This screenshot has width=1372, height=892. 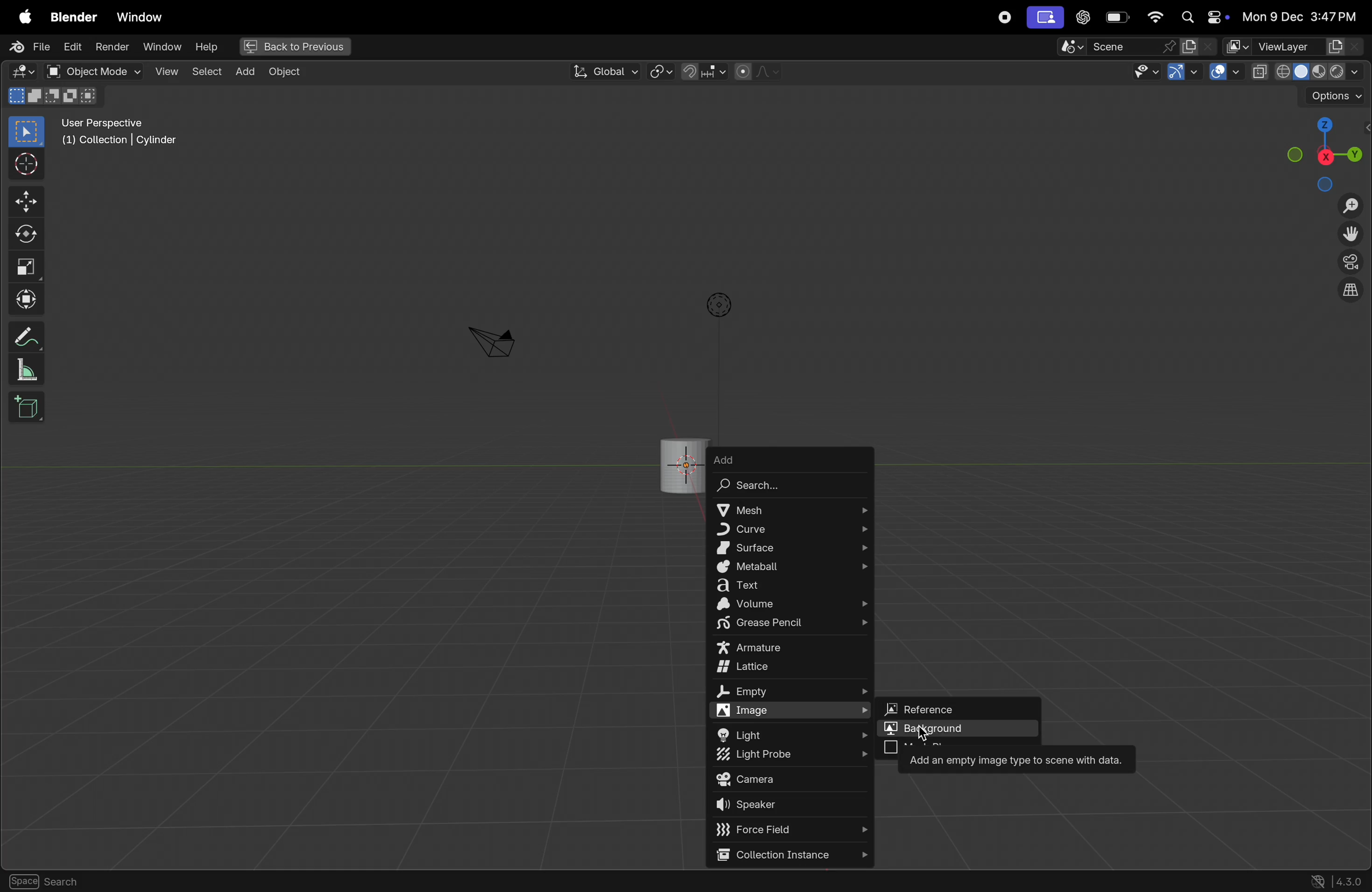 What do you see at coordinates (791, 756) in the screenshot?
I see `lighy probr` at bounding box center [791, 756].